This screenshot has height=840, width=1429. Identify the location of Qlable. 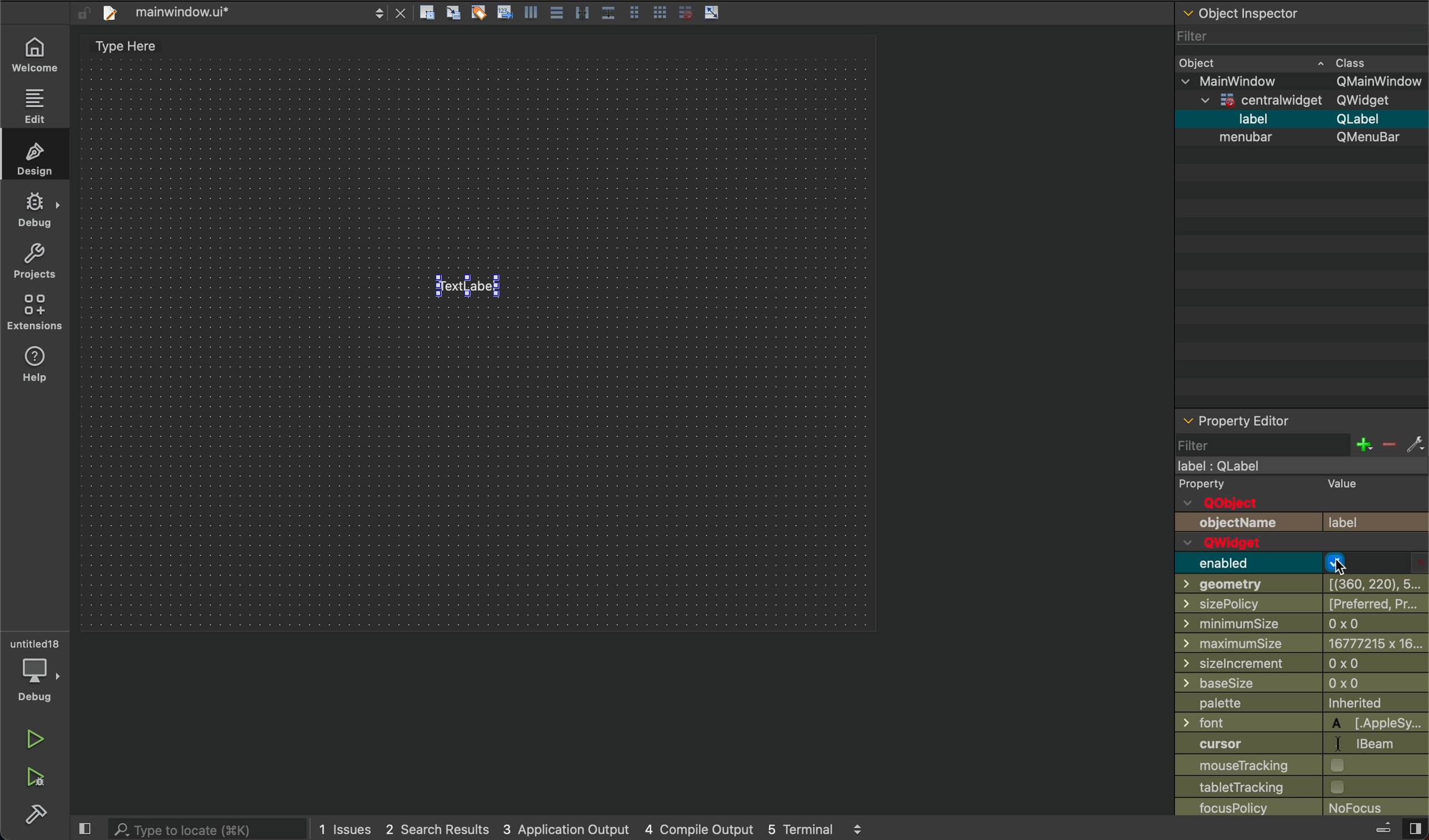
(1360, 117).